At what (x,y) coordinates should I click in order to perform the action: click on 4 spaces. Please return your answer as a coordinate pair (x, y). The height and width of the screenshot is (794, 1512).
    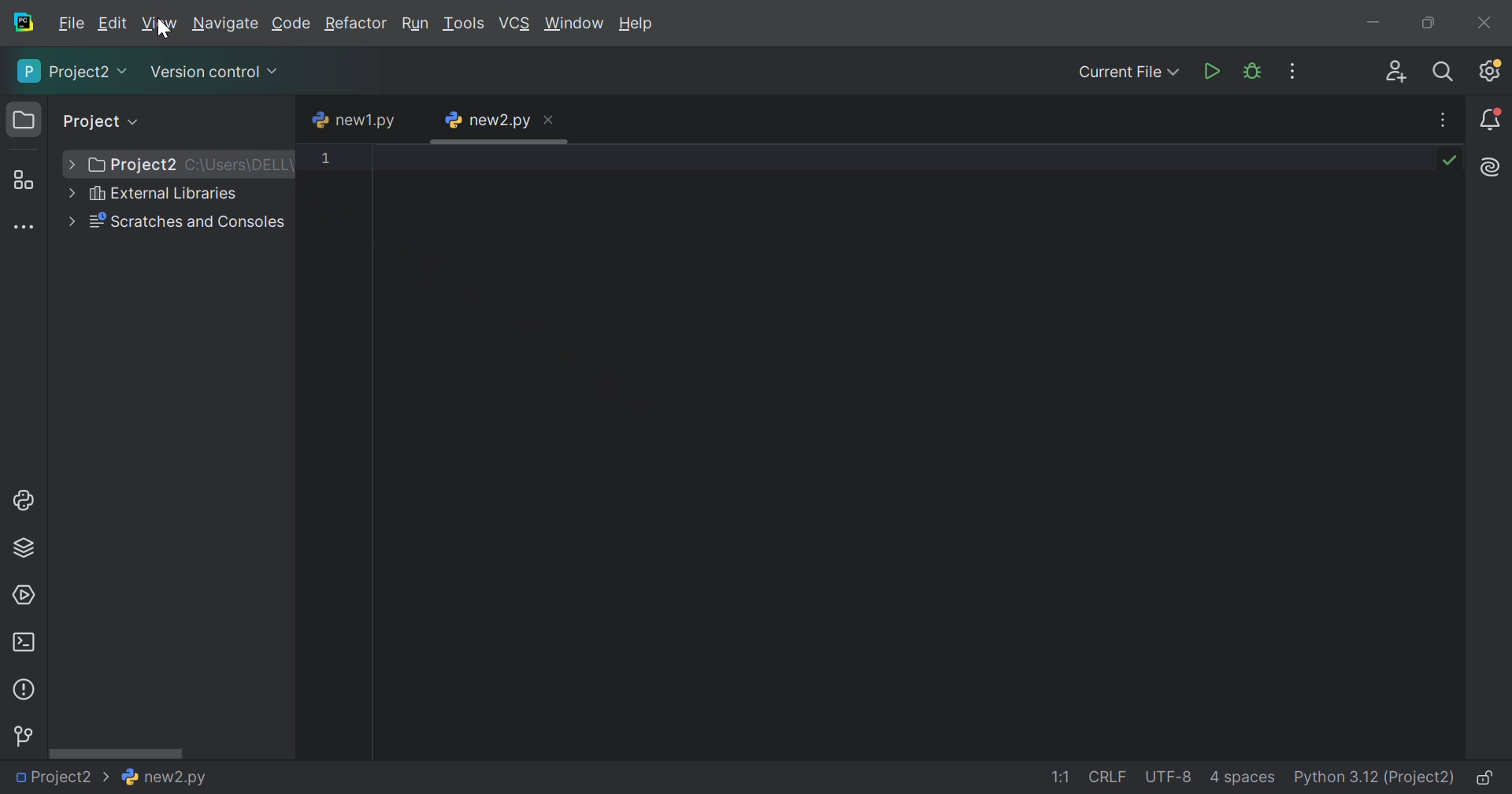
    Looking at the image, I should click on (1243, 781).